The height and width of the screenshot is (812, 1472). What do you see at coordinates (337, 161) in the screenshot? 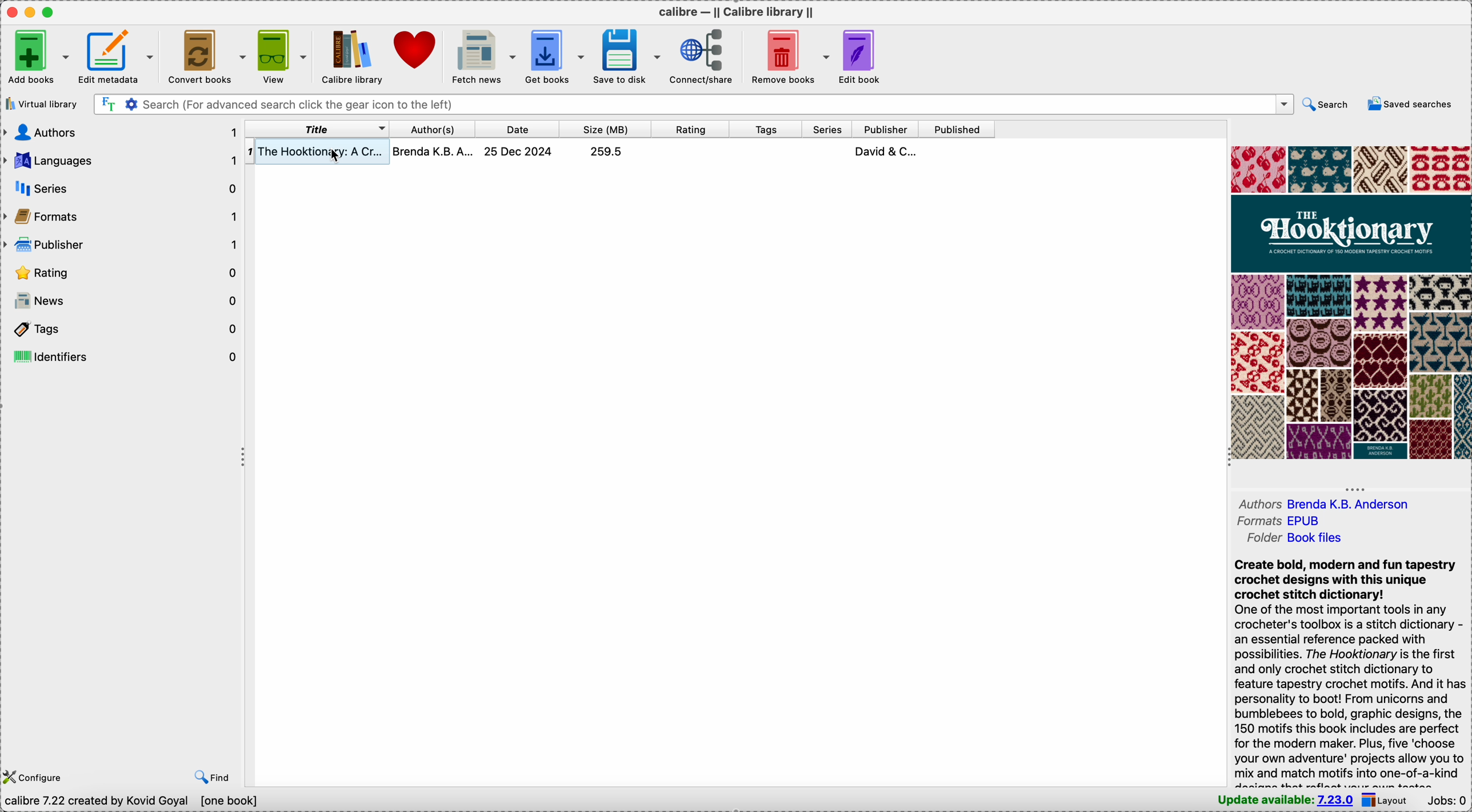
I see `cursor` at bounding box center [337, 161].